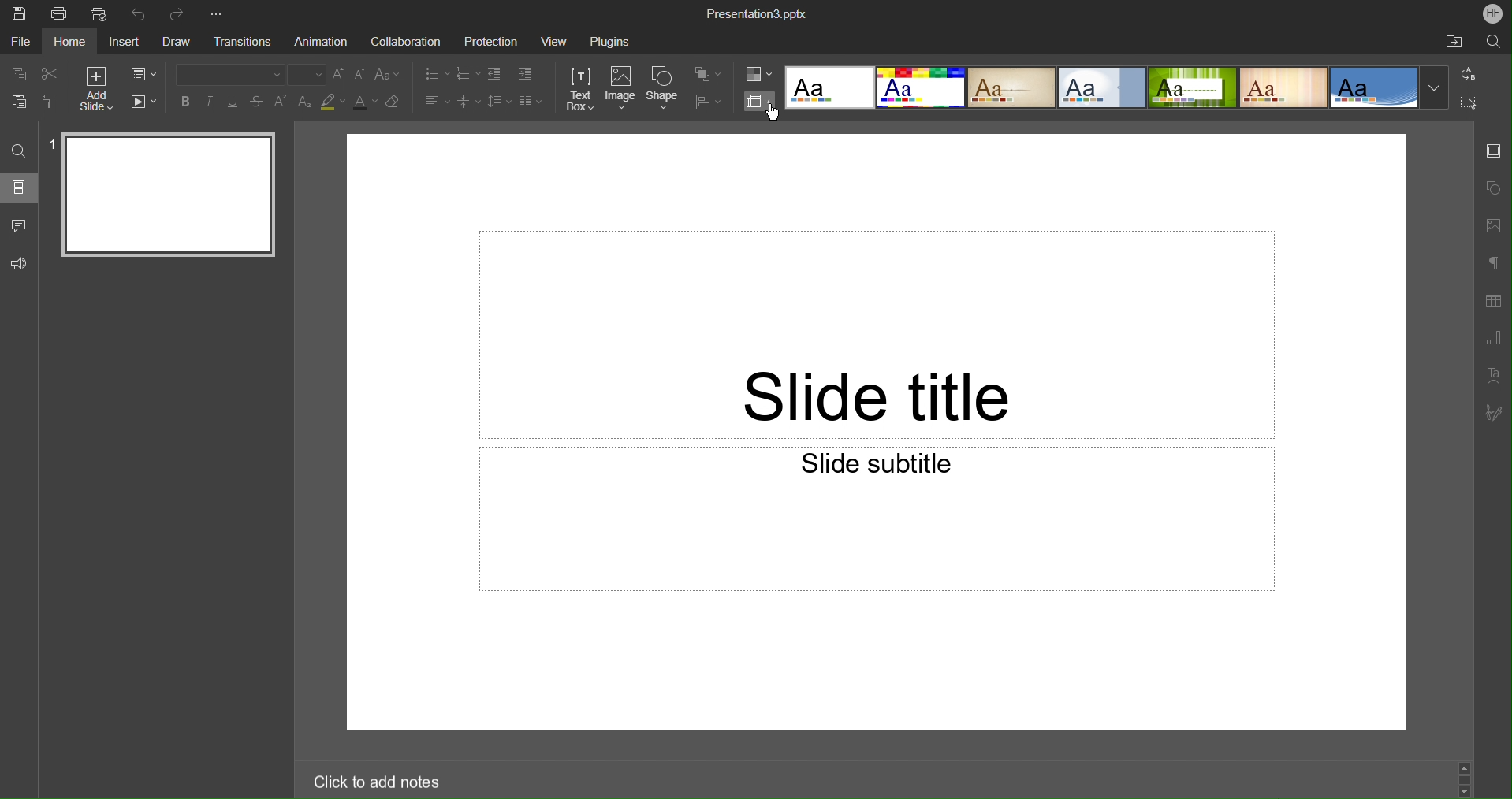  I want to click on Add Slide, so click(94, 88).